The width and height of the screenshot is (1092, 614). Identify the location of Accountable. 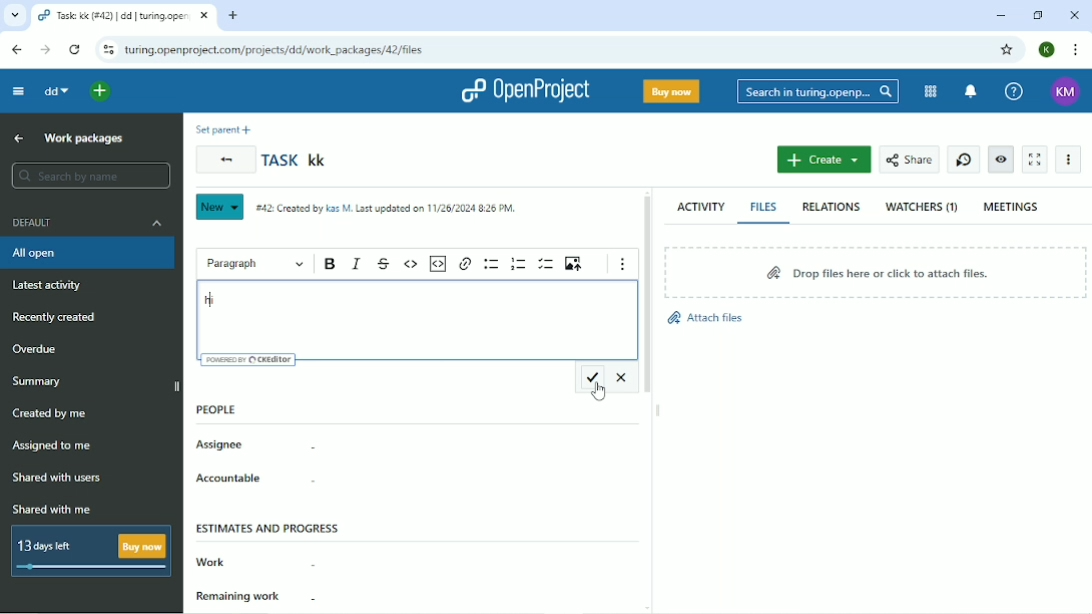
(250, 480).